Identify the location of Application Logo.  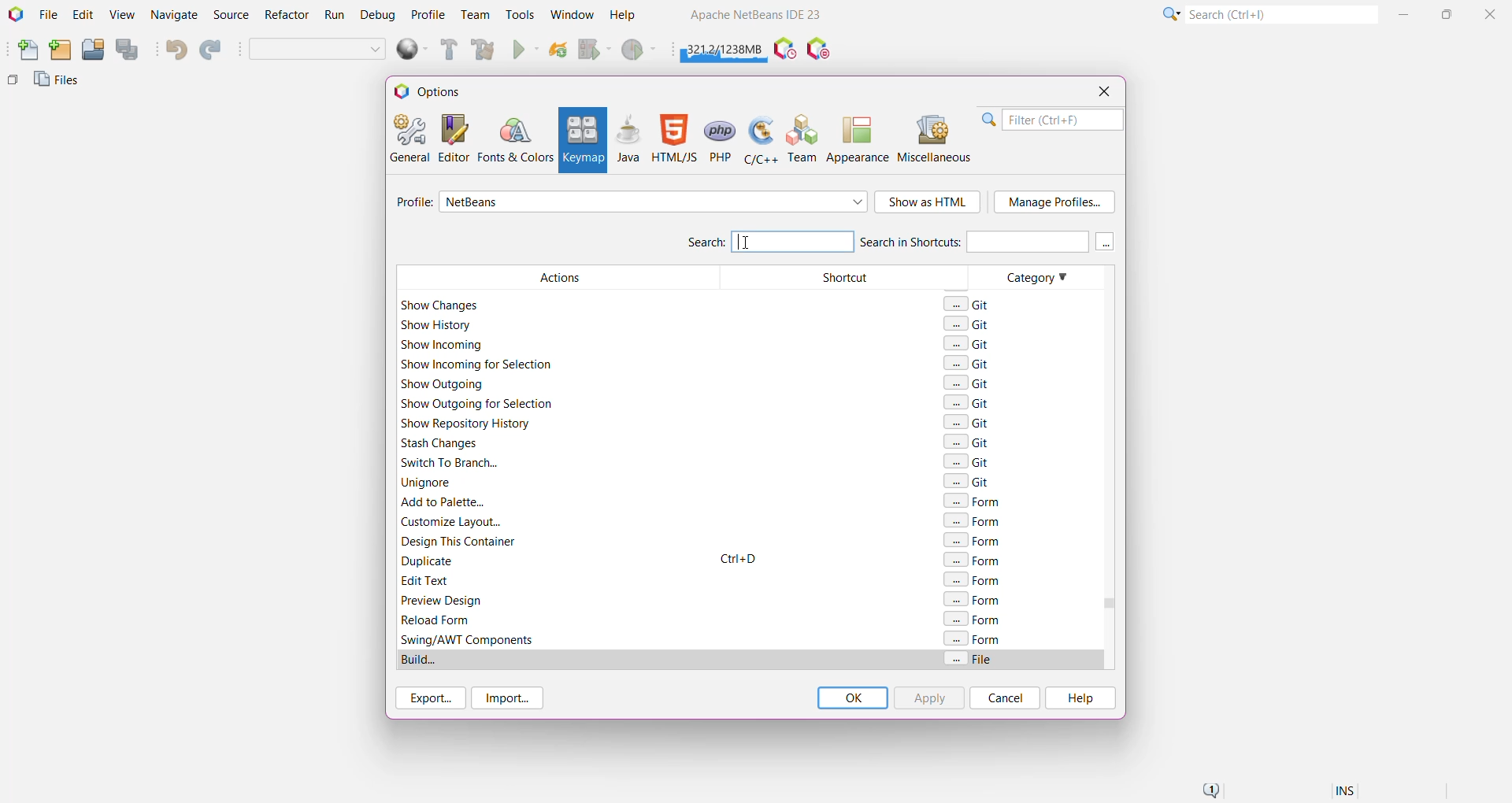
(14, 15).